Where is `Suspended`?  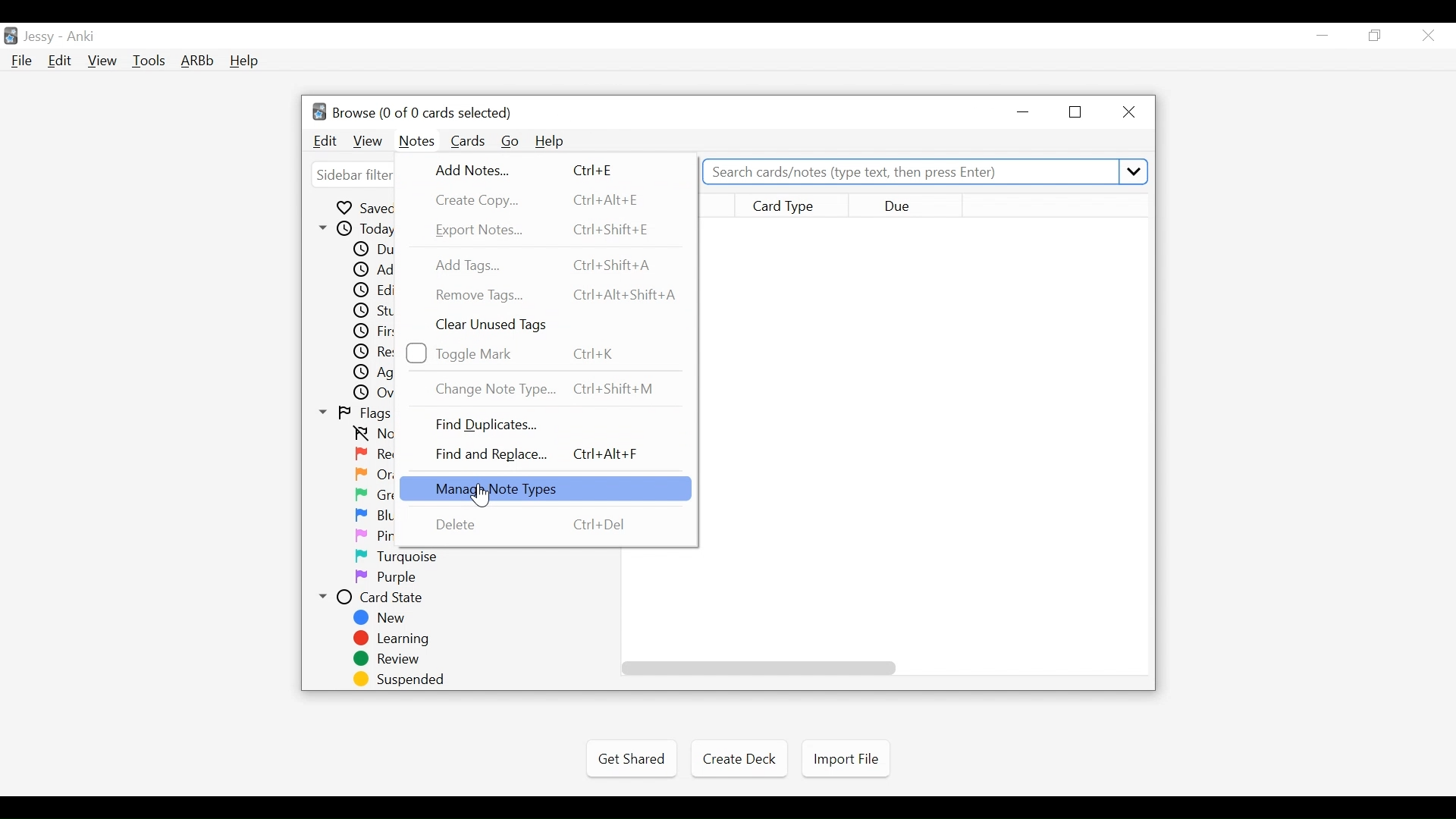
Suspended is located at coordinates (400, 679).